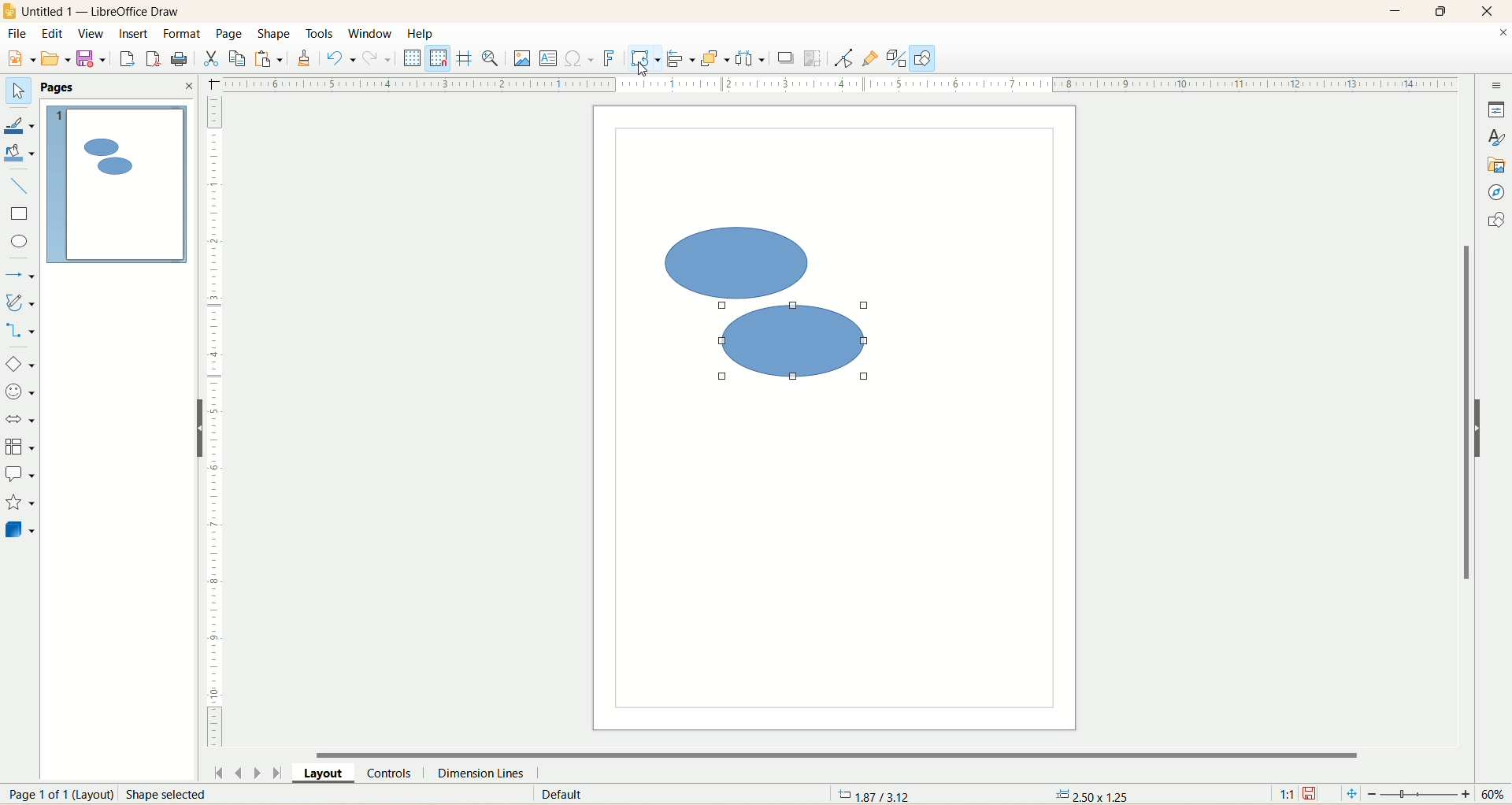 The height and width of the screenshot is (805, 1512). Describe the element at coordinates (1498, 167) in the screenshot. I see `gallery` at that location.